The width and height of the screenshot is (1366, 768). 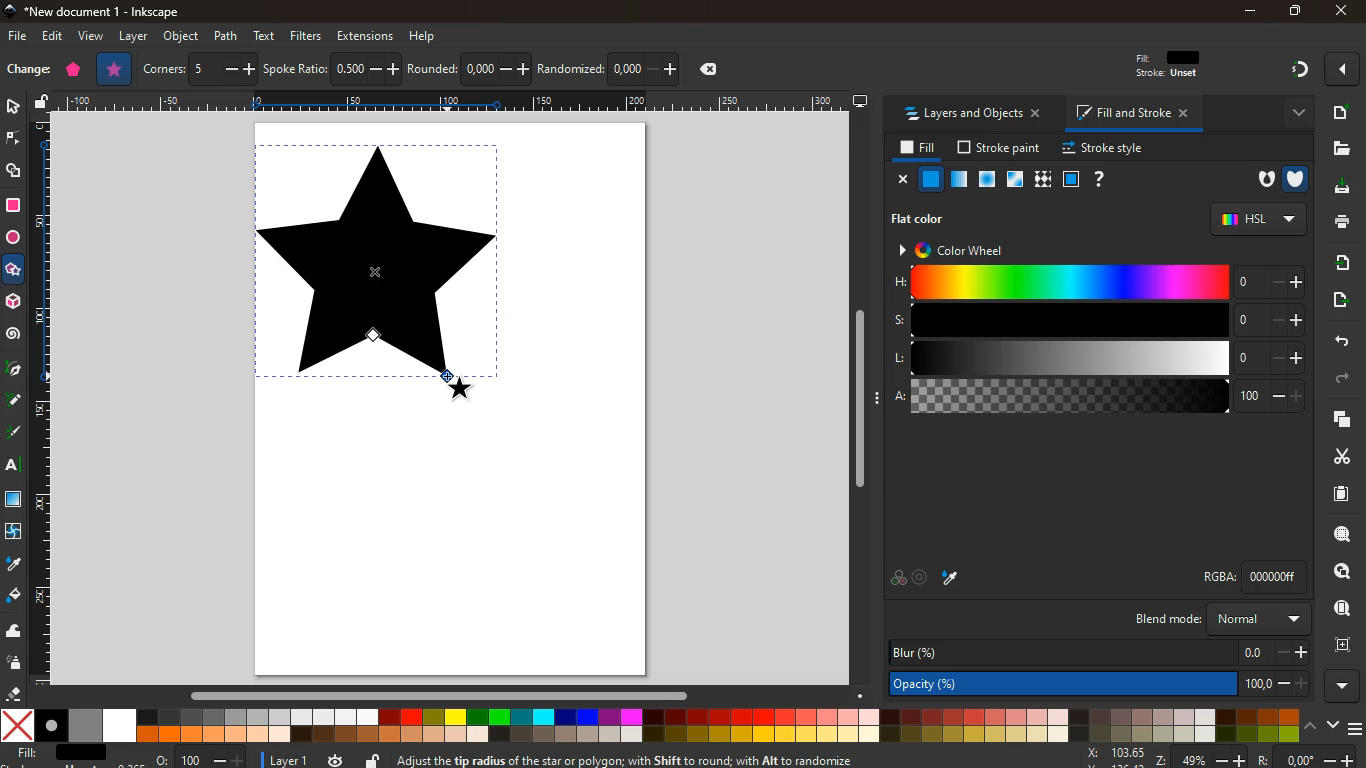 I want to click on star, so click(x=116, y=68).